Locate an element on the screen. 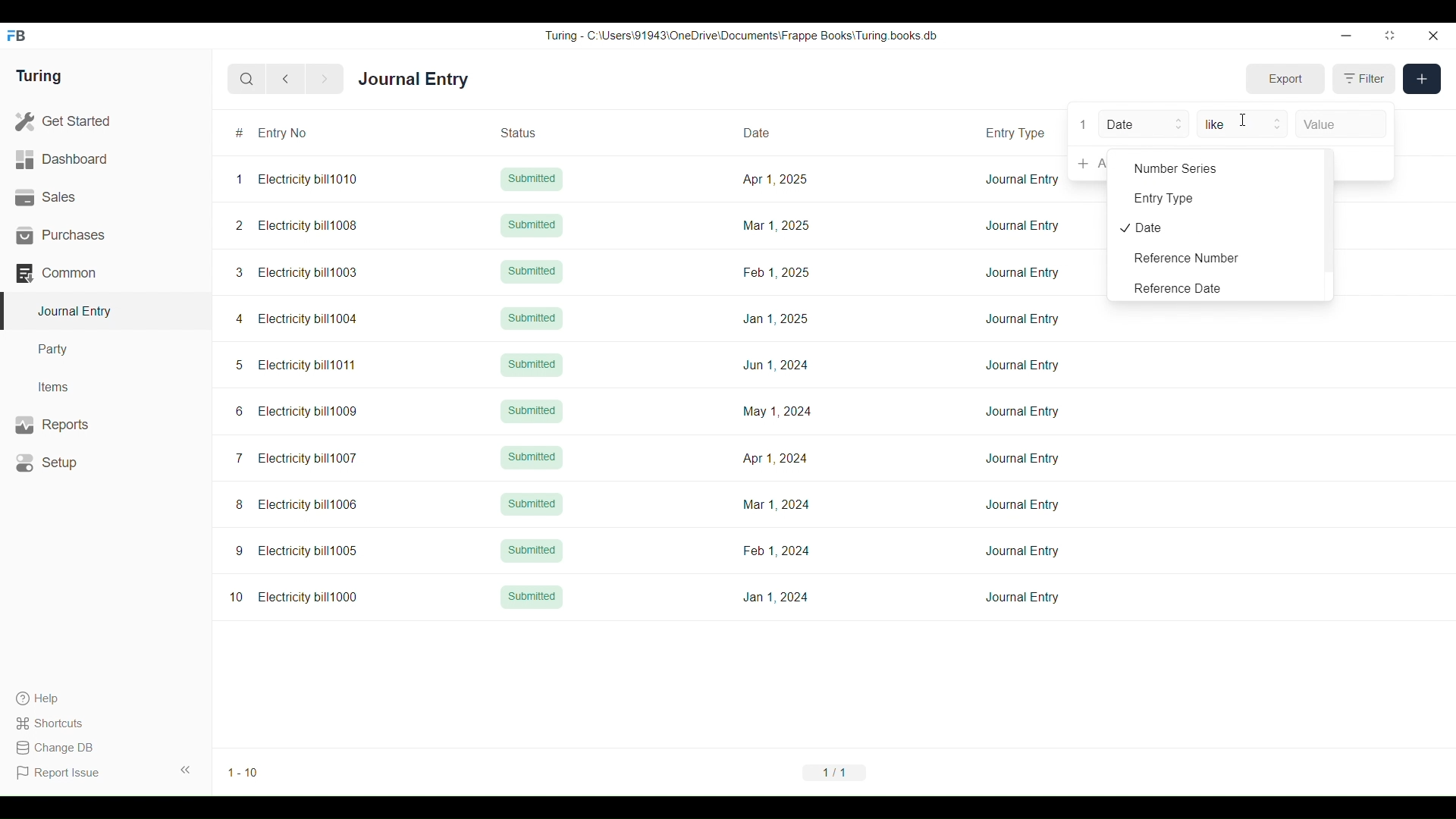 The width and height of the screenshot is (1456, 819). Items is located at coordinates (106, 388).